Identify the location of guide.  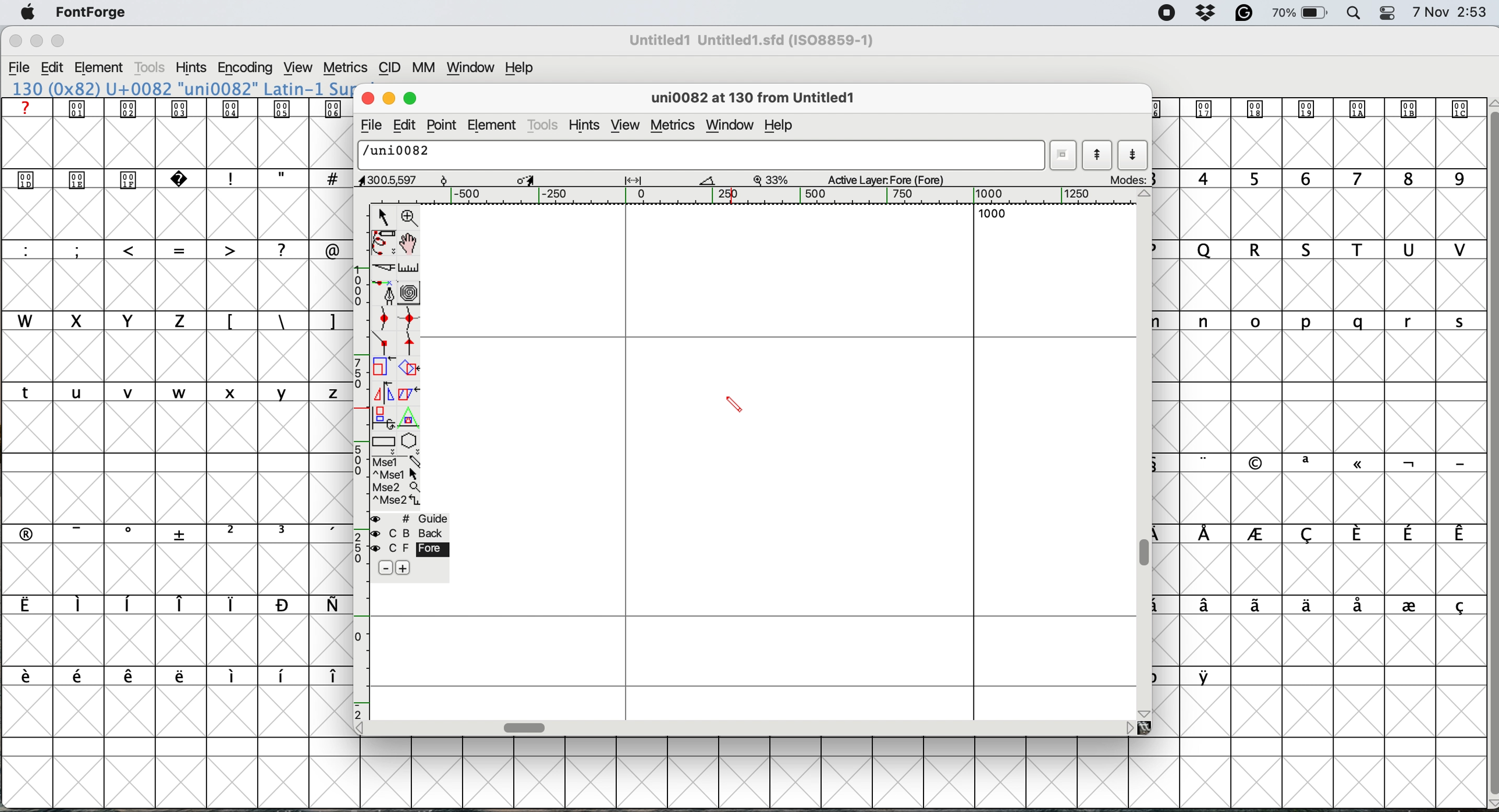
(413, 518).